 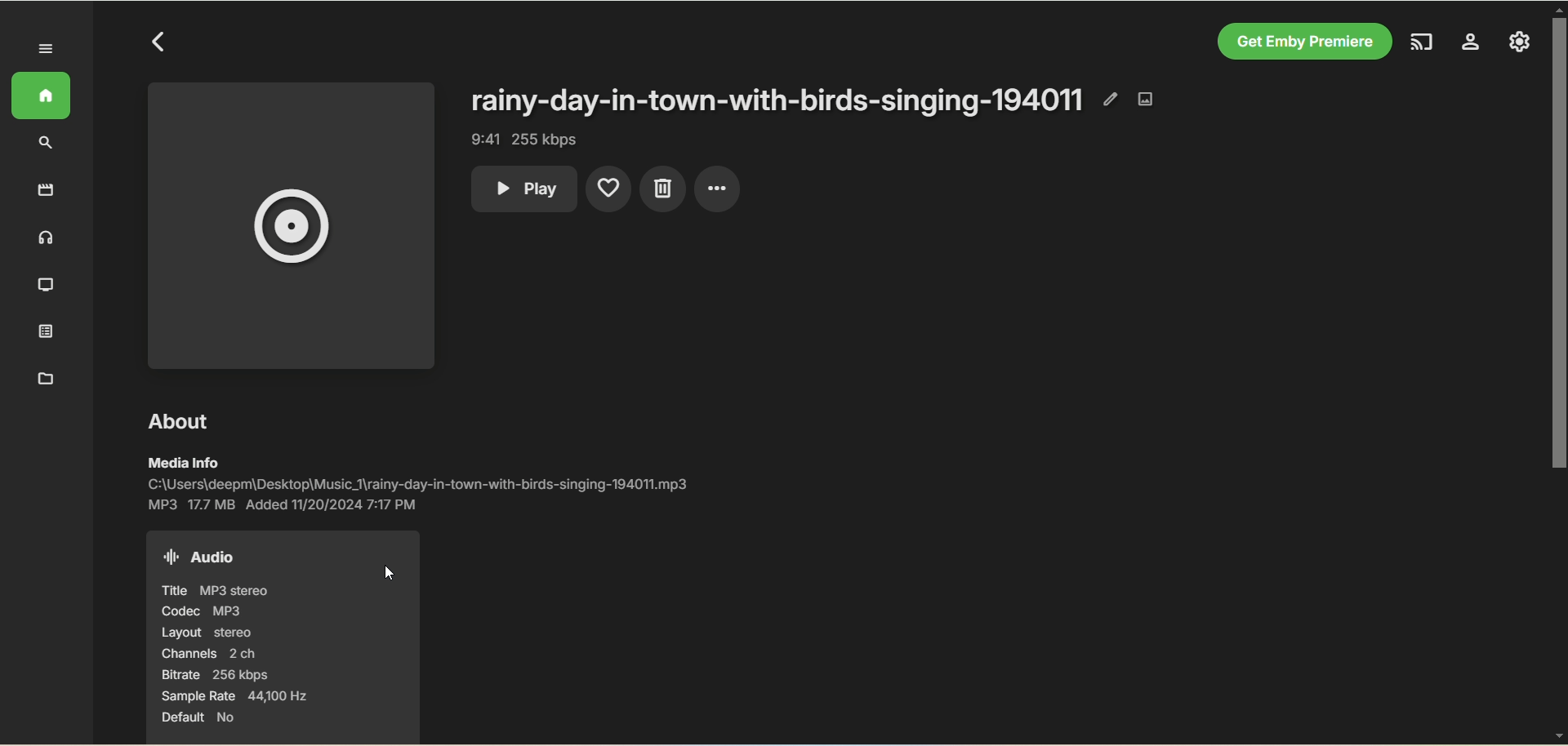 I want to click on 9:41 255 kbps, so click(x=530, y=139).